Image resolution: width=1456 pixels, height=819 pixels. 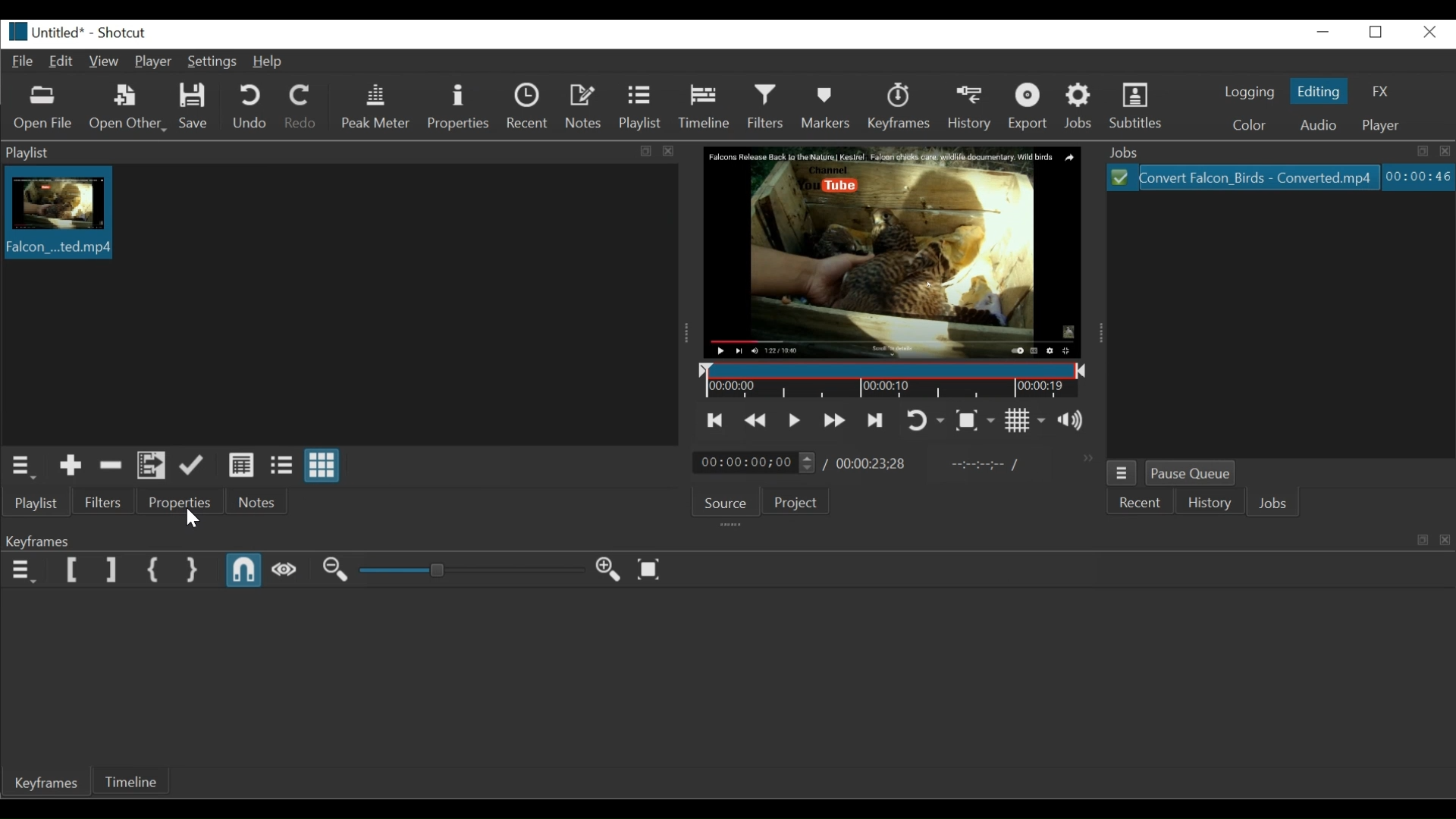 I want to click on Close, so click(x=1432, y=33).